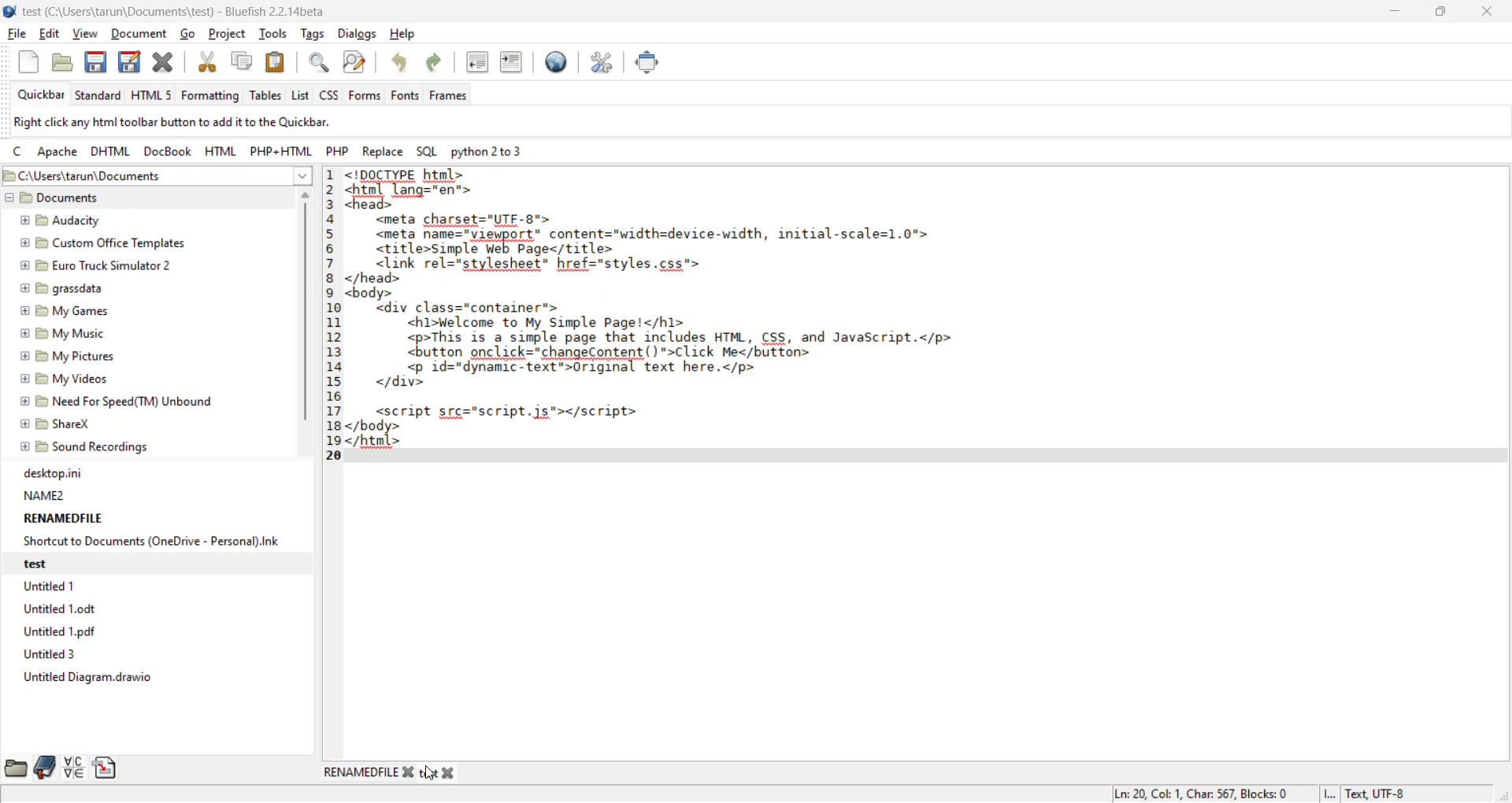 Image resolution: width=1512 pixels, height=803 pixels. I want to click on forms, so click(366, 96).